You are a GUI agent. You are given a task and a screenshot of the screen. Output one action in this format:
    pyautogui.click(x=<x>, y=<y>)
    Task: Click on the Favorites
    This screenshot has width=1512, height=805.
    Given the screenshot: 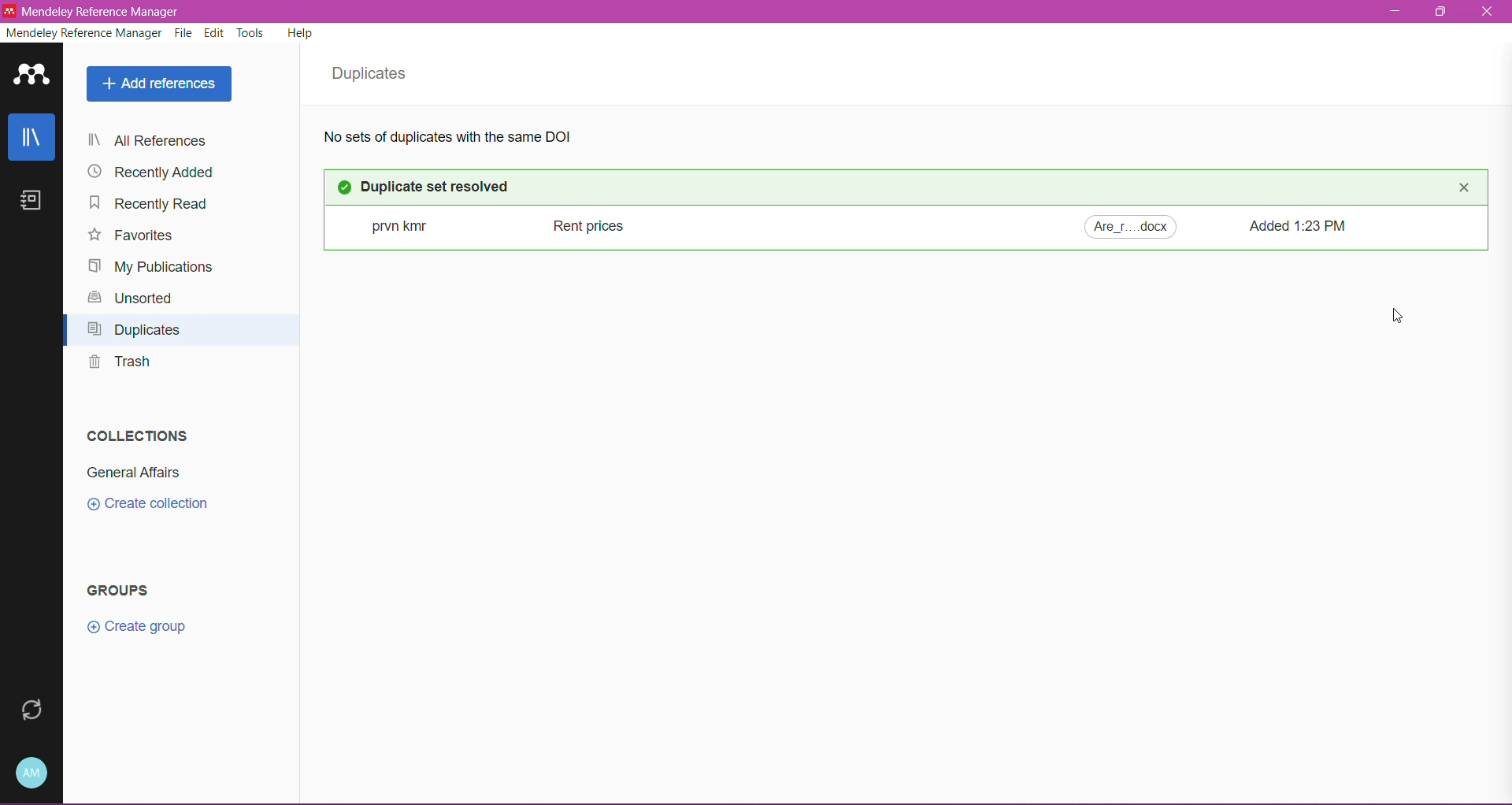 What is the action you would take?
    pyautogui.click(x=132, y=236)
    